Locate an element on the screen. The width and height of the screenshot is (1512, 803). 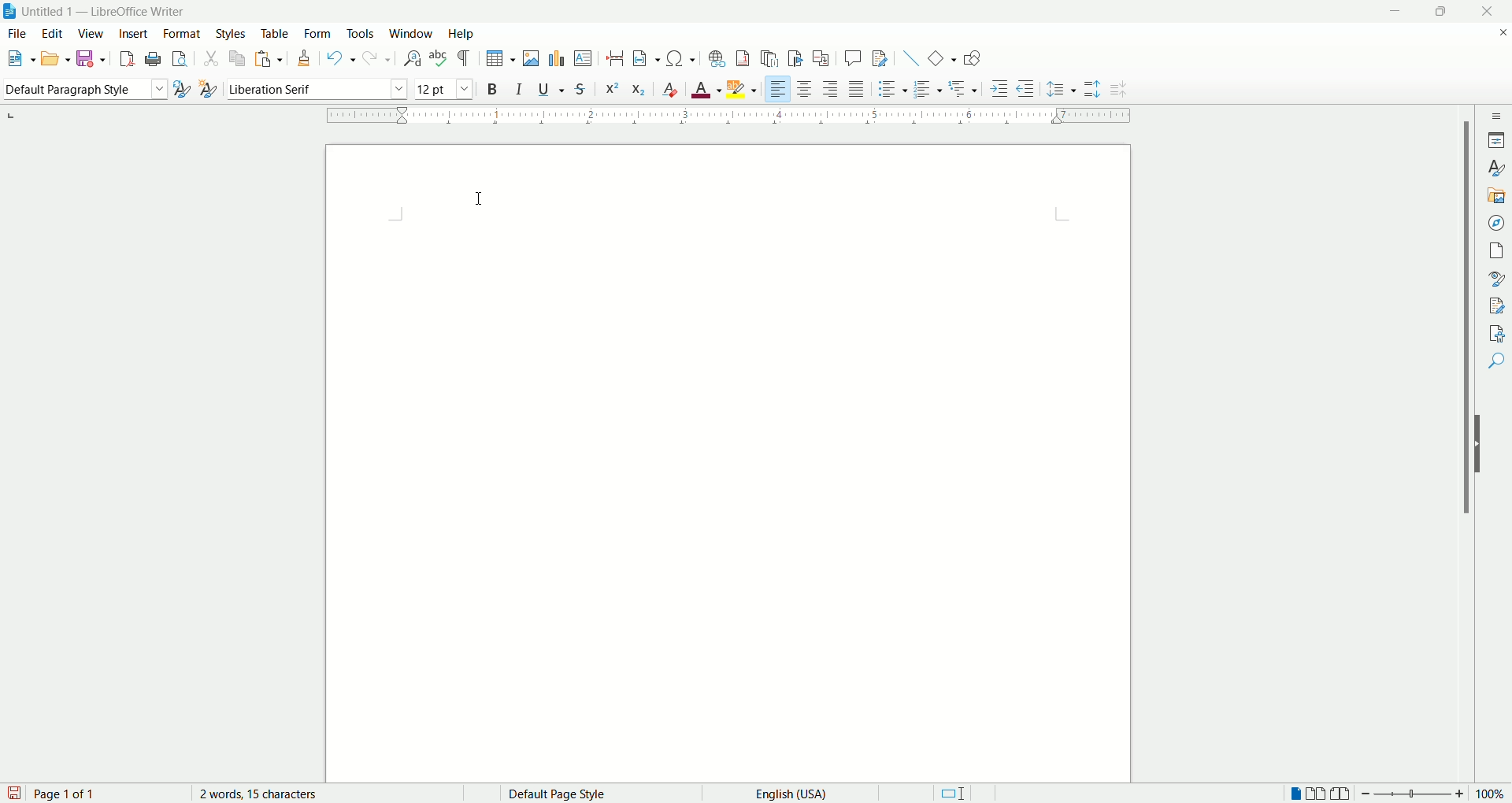
edit is located at coordinates (54, 34).